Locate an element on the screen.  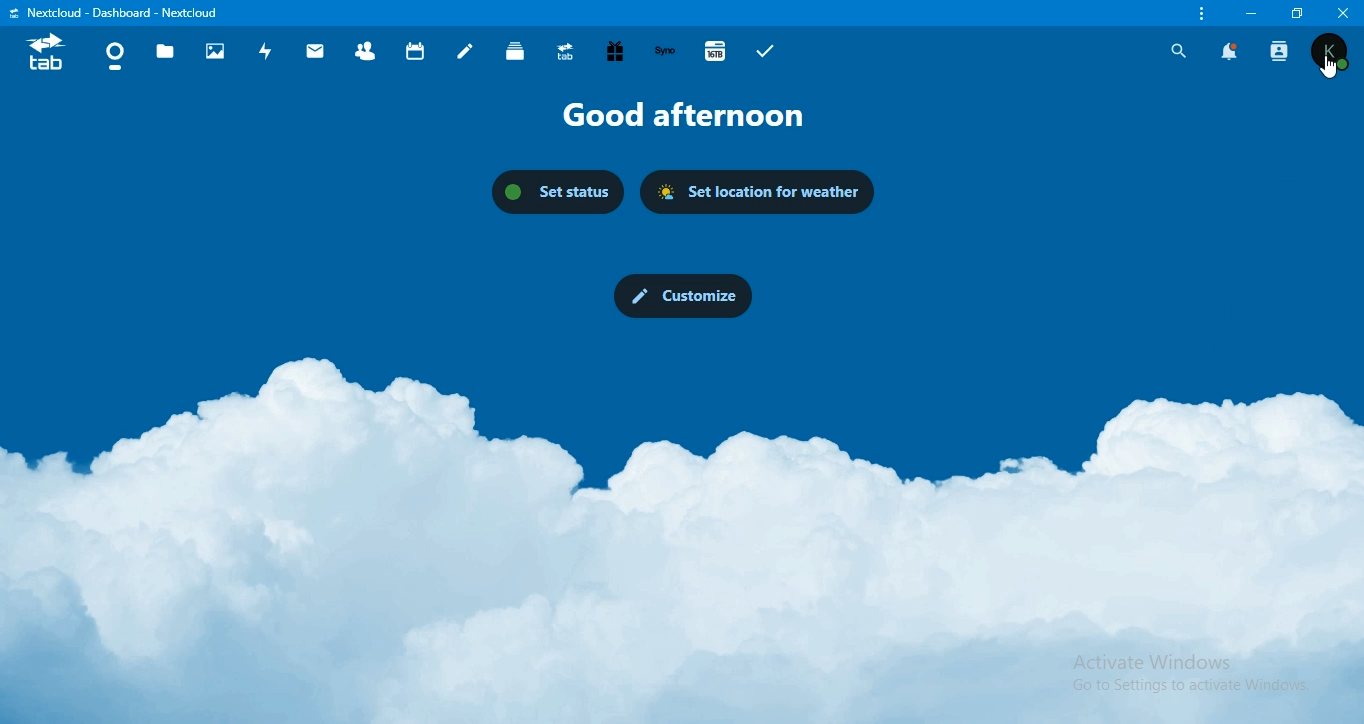
notification is located at coordinates (1230, 51).